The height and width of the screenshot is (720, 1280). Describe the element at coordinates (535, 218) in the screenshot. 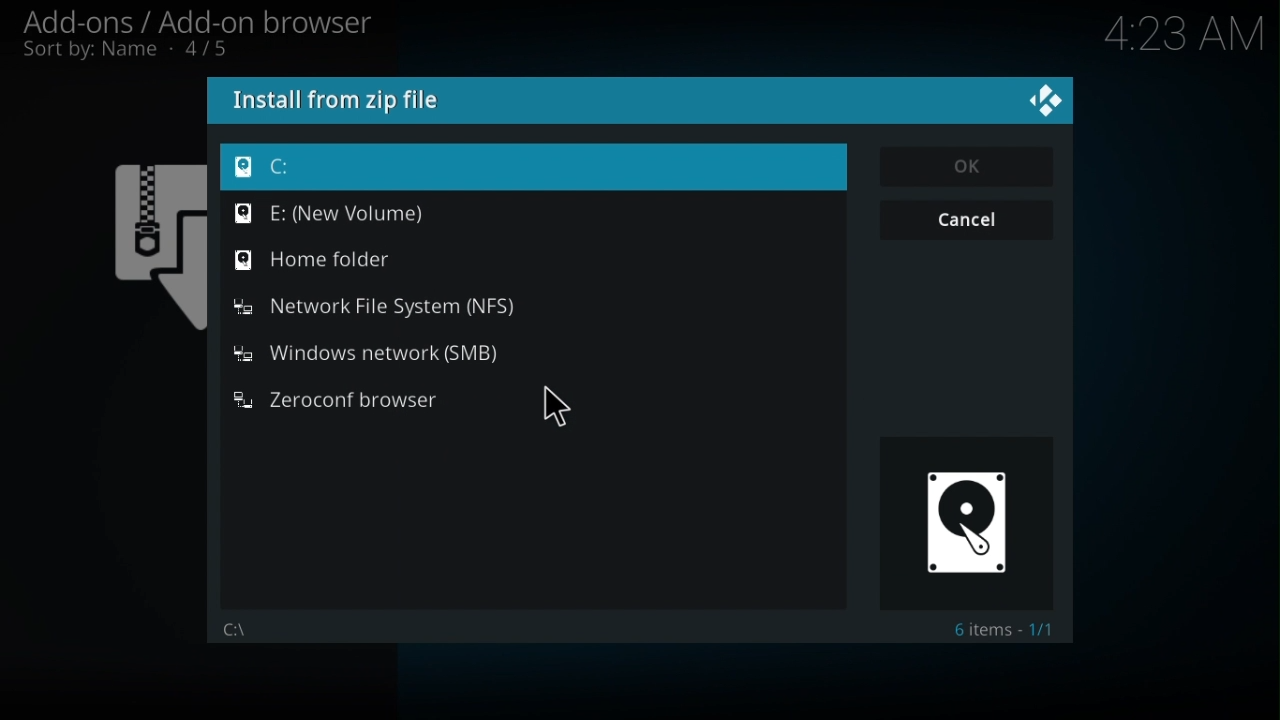

I see `E drive` at that location.